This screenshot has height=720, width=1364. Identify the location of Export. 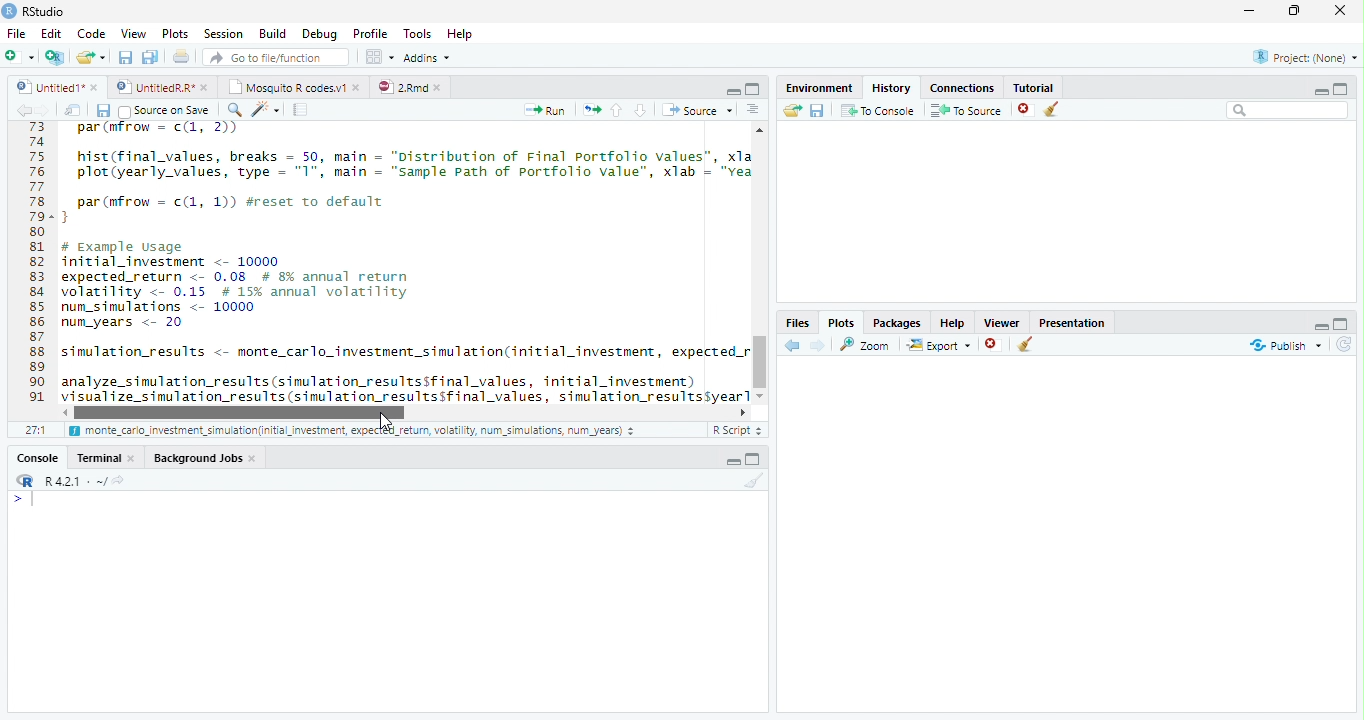
(937, 345).